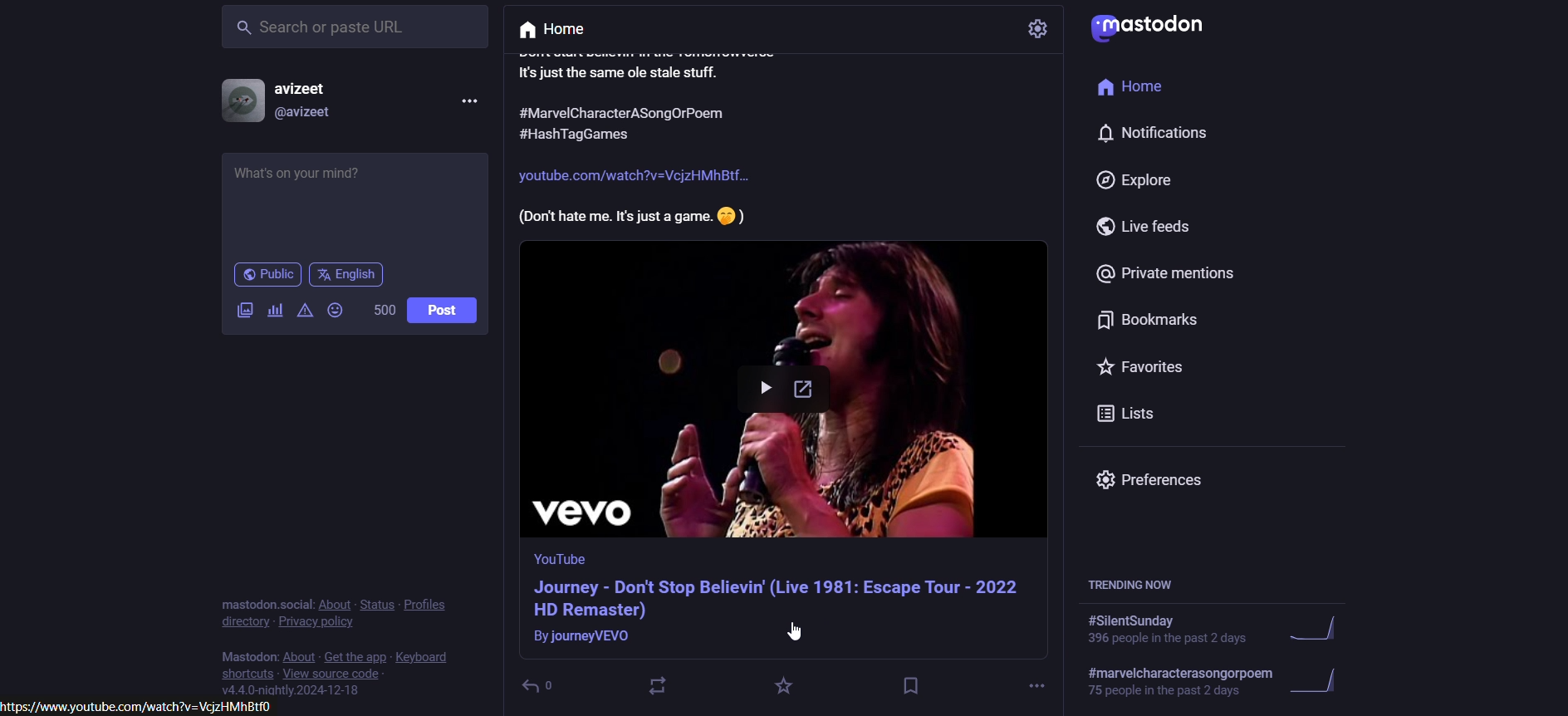  I want to click on favorites, so click(1144, 365).